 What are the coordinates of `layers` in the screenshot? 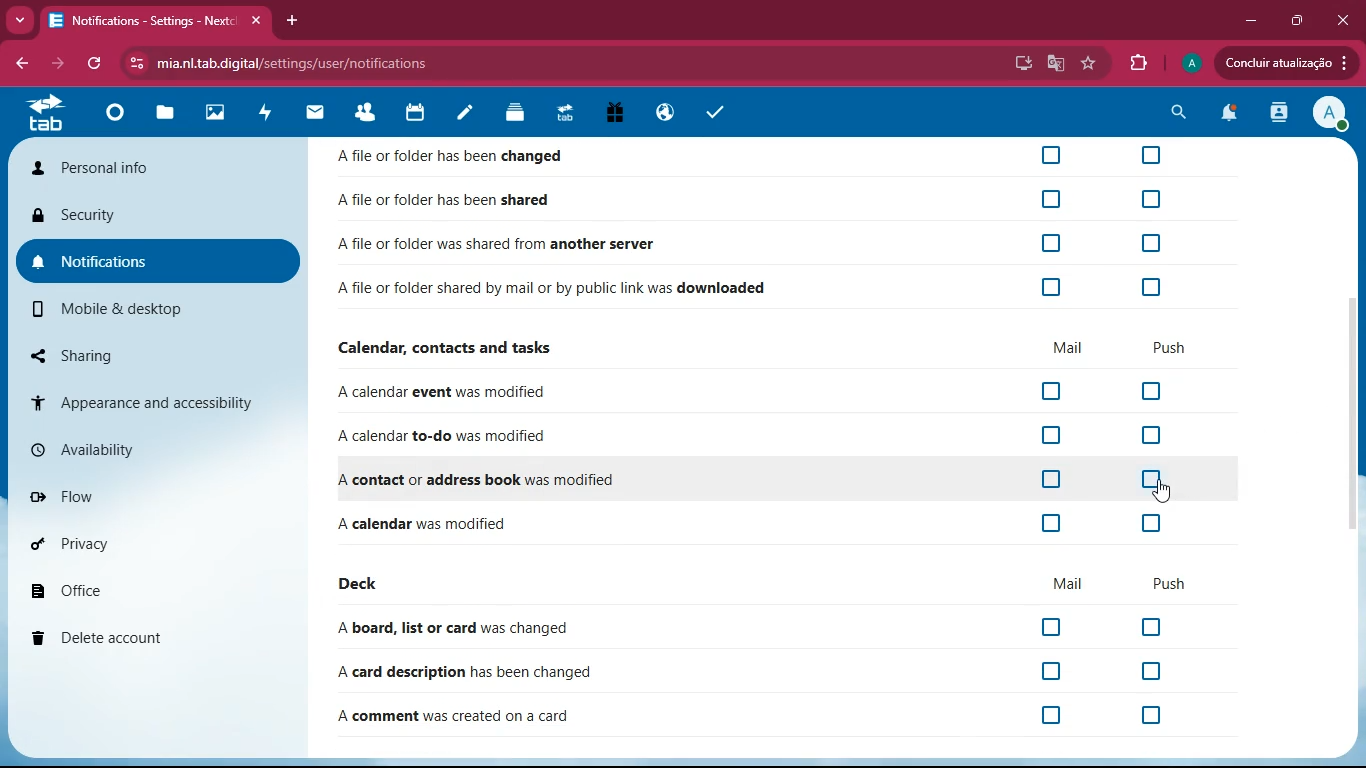 It's located at (519, 113).